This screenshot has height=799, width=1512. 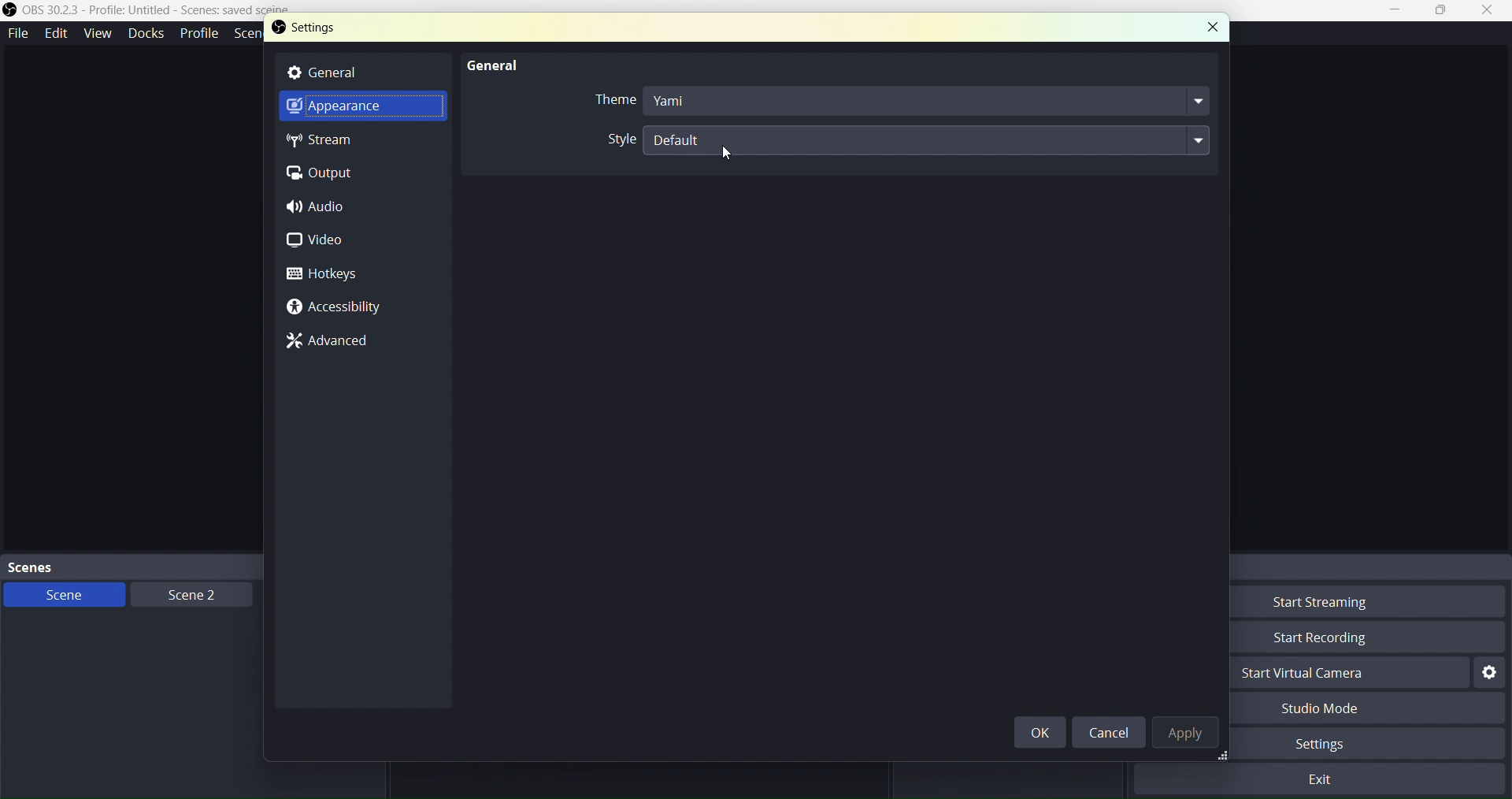 What do you see at coordinates (1443, 11) in the screenshot?
I see `Box` at bounding box center [1443, 11].